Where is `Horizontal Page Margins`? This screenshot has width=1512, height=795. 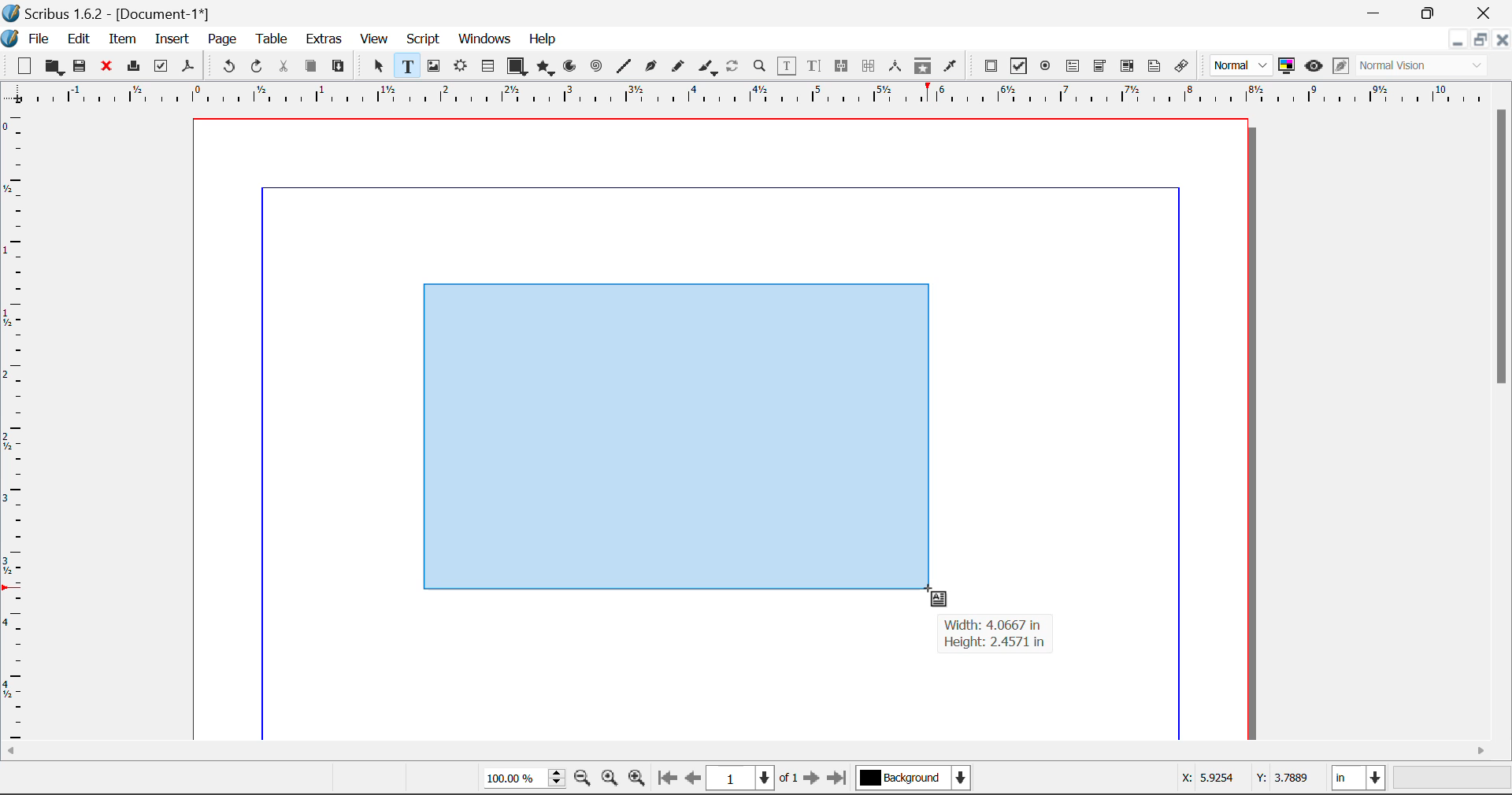 Horizontal Page Margins is located at coordinates (17, 427).